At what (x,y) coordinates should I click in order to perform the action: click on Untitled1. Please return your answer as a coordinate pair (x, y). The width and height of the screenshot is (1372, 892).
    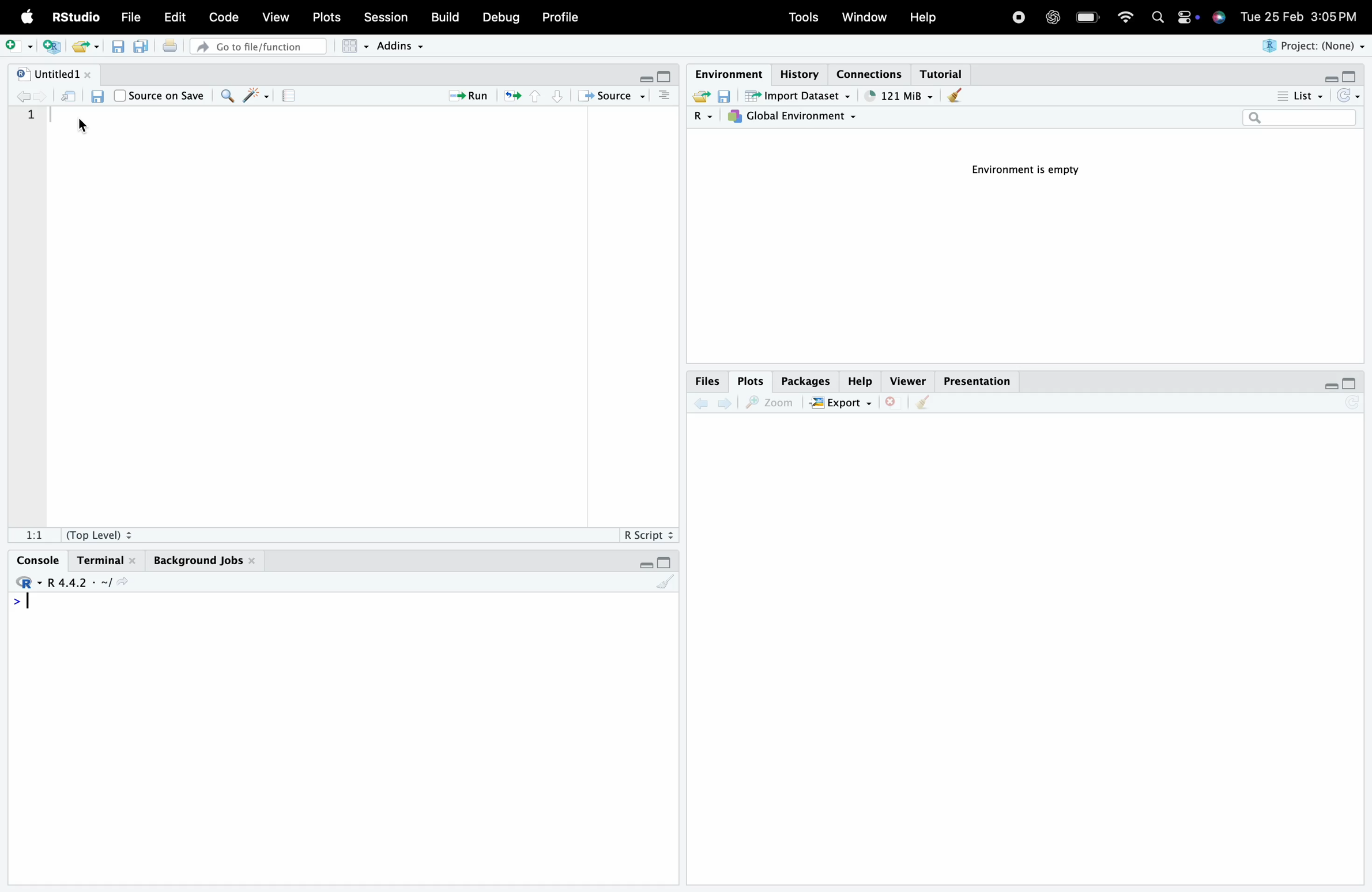
    Looking at the image, I should click on (54, 72).